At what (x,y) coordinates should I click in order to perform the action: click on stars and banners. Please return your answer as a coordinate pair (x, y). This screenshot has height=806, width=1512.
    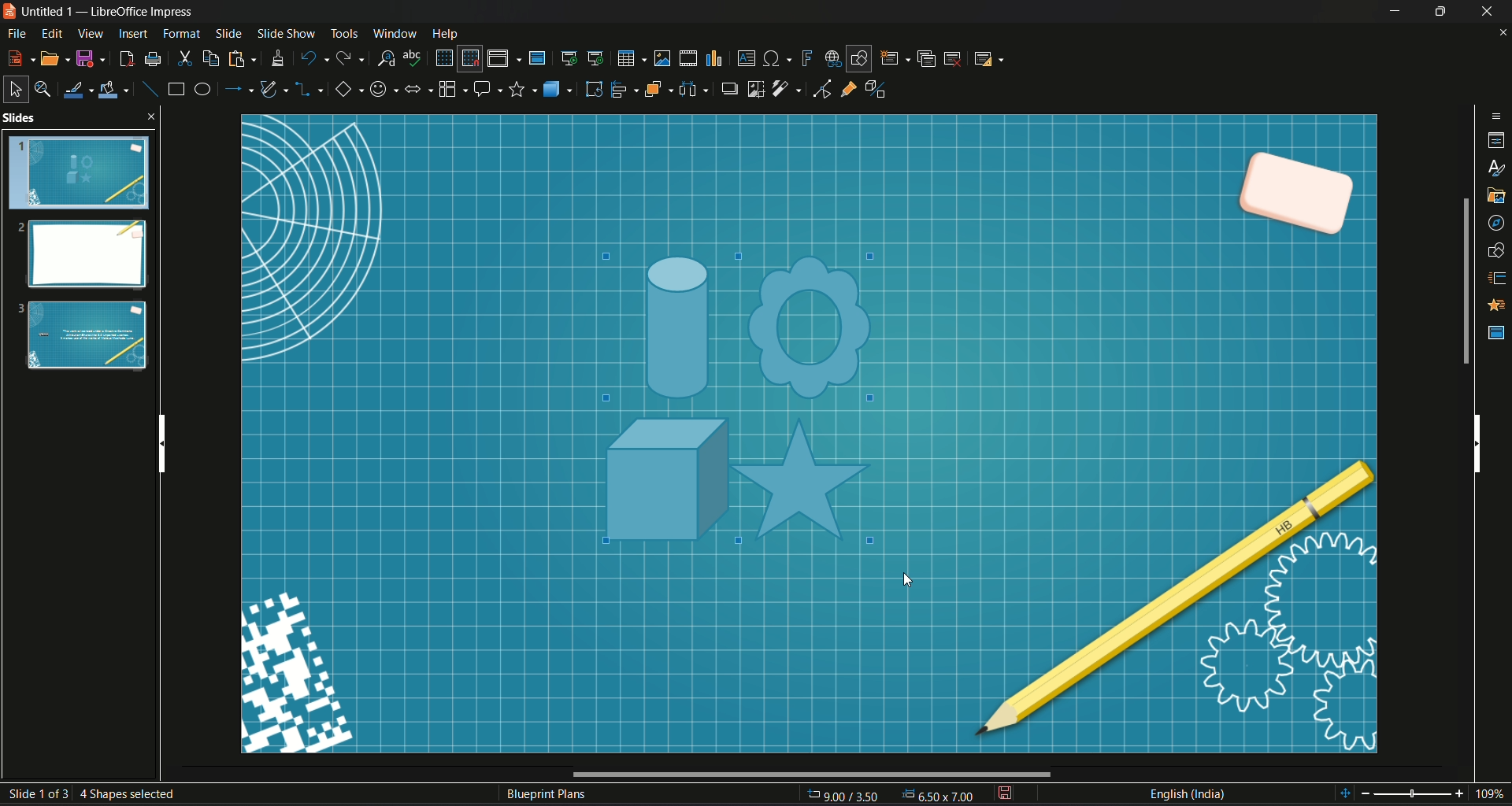
    Looking at the image, I should click on (522, 90).